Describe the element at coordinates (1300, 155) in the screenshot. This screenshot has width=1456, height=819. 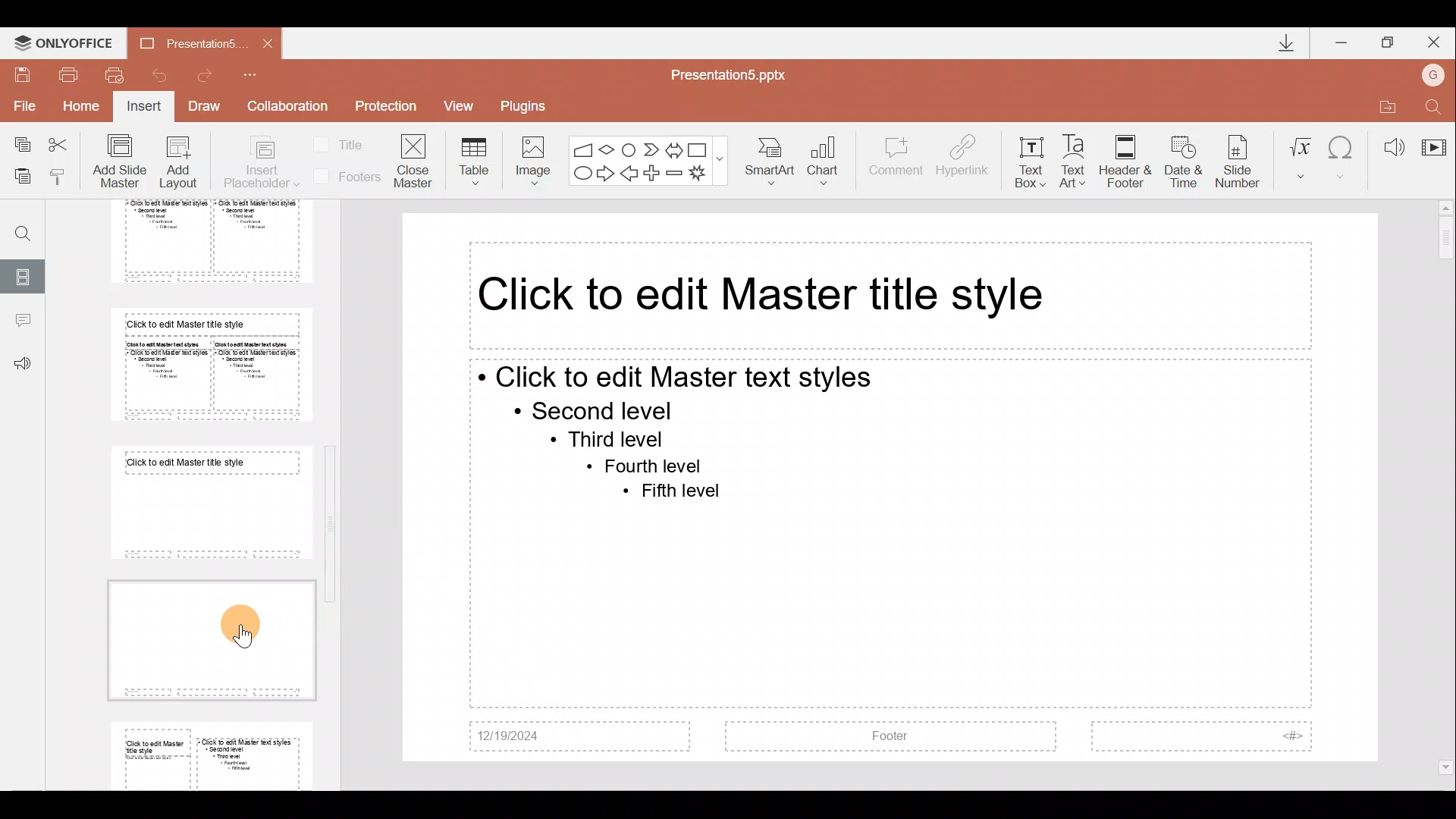
I see `Equation` at that location.